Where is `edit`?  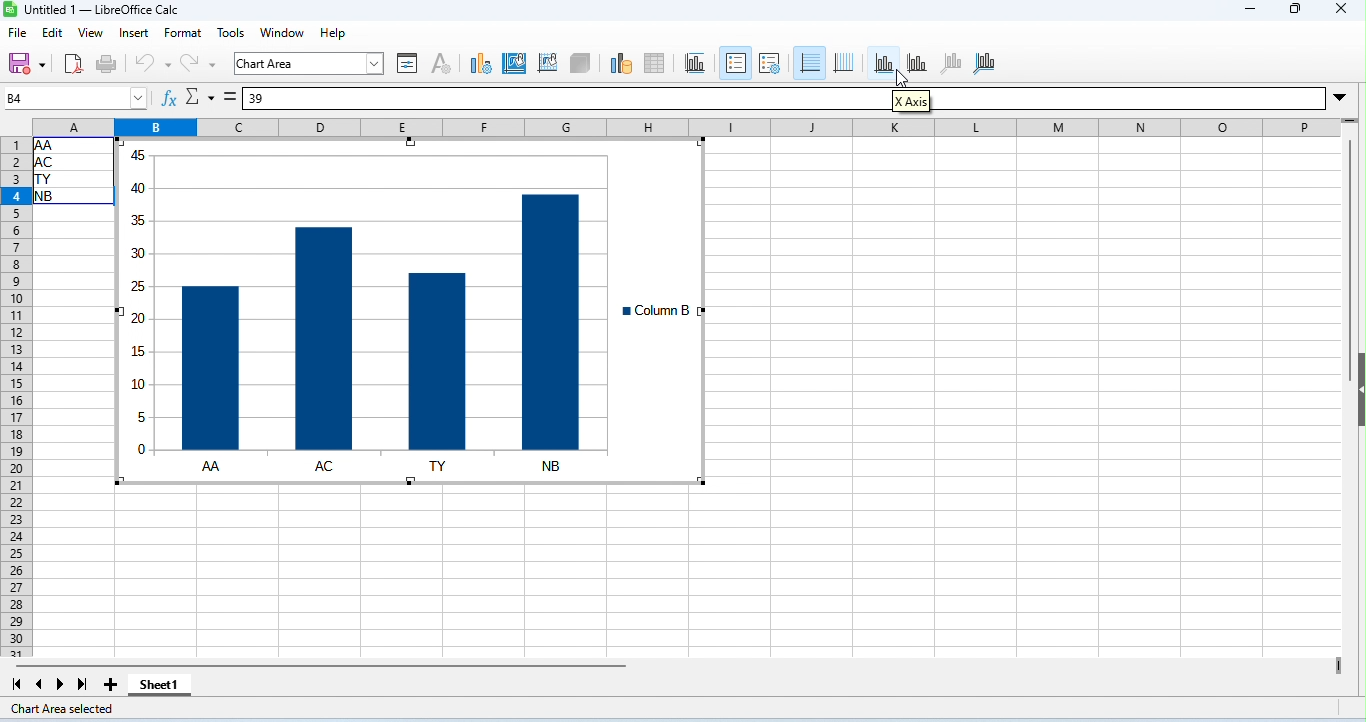
edit is located at coordinates (53, 34).